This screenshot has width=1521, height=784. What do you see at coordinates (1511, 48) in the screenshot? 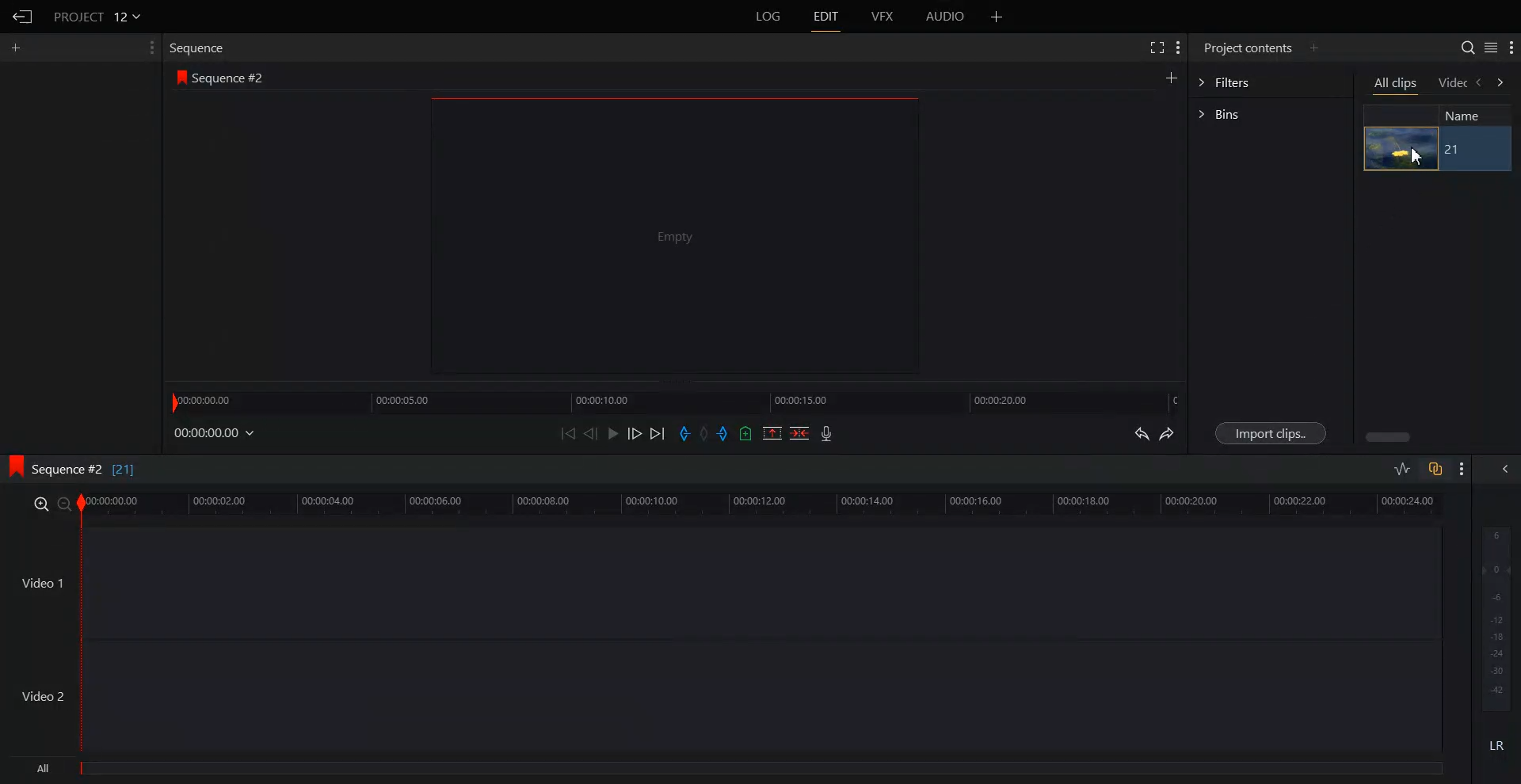
I see `Show Setting Menu` at bounding box center [1511, 48].